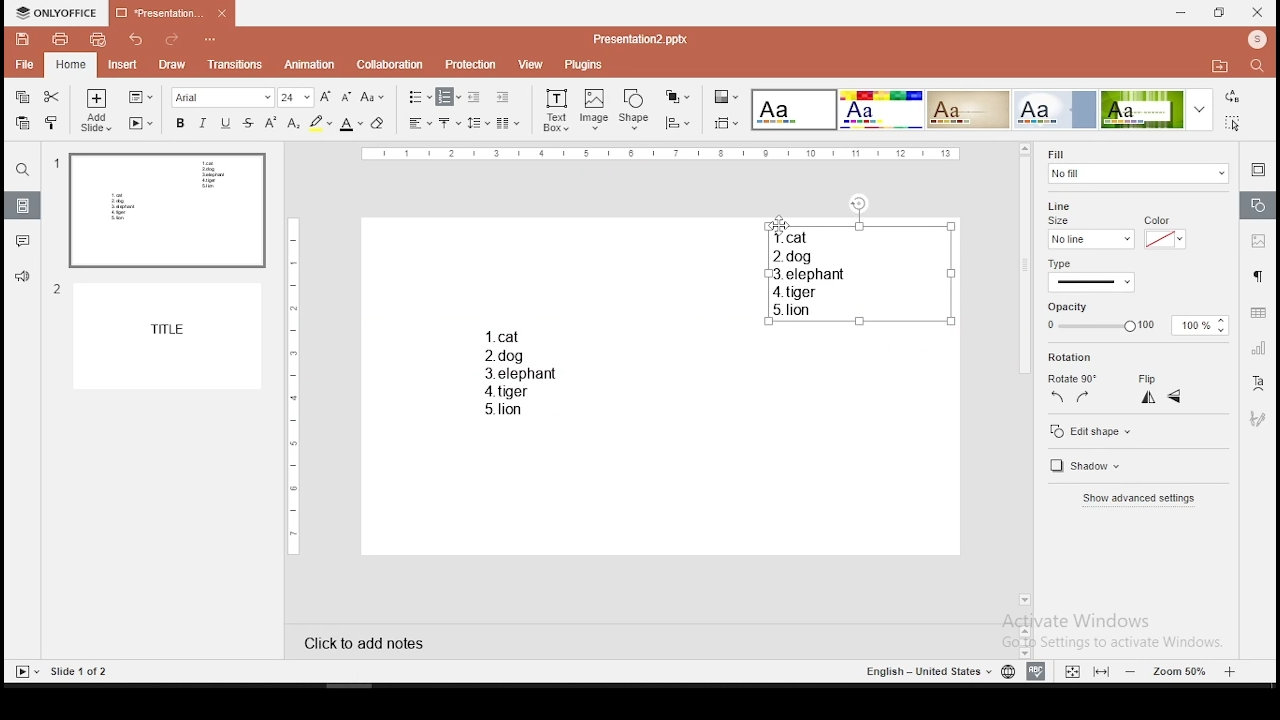  I want to click on decrease indent, so click(476, 96).